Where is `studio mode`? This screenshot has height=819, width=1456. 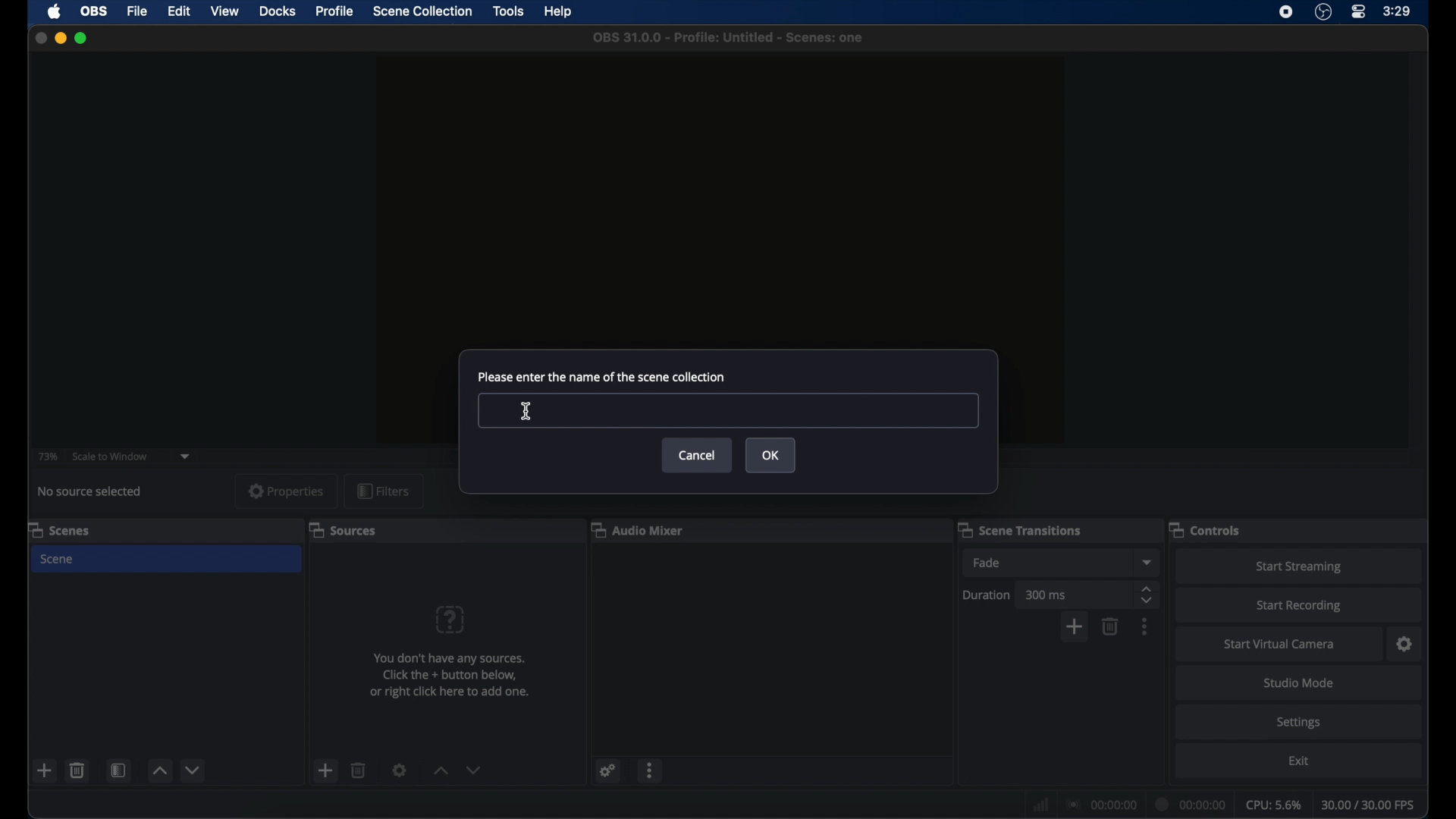
studio mode is located at coordinates (1301, 682).